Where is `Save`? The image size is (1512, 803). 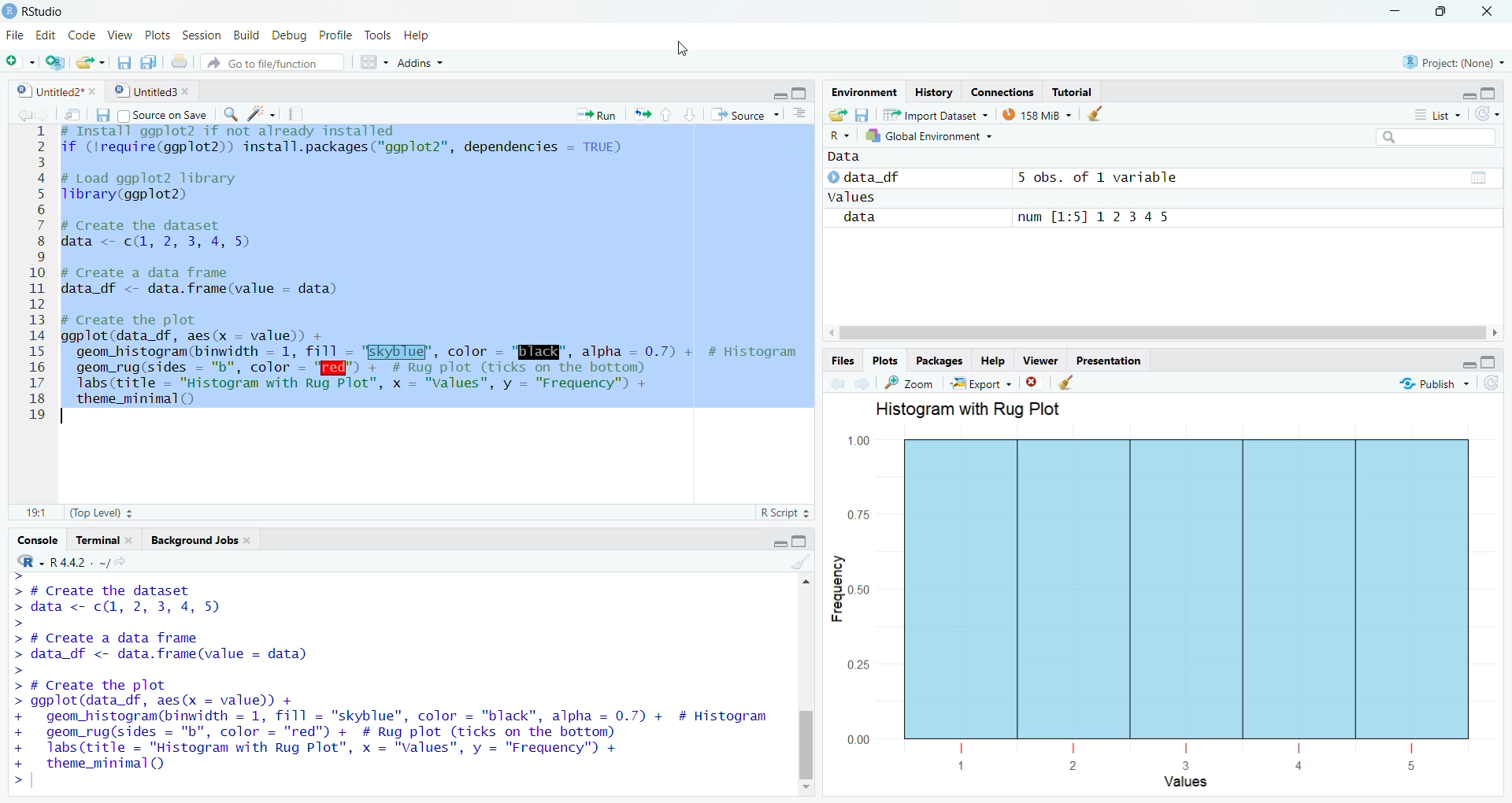 Save is located at coordinates (102, 114).